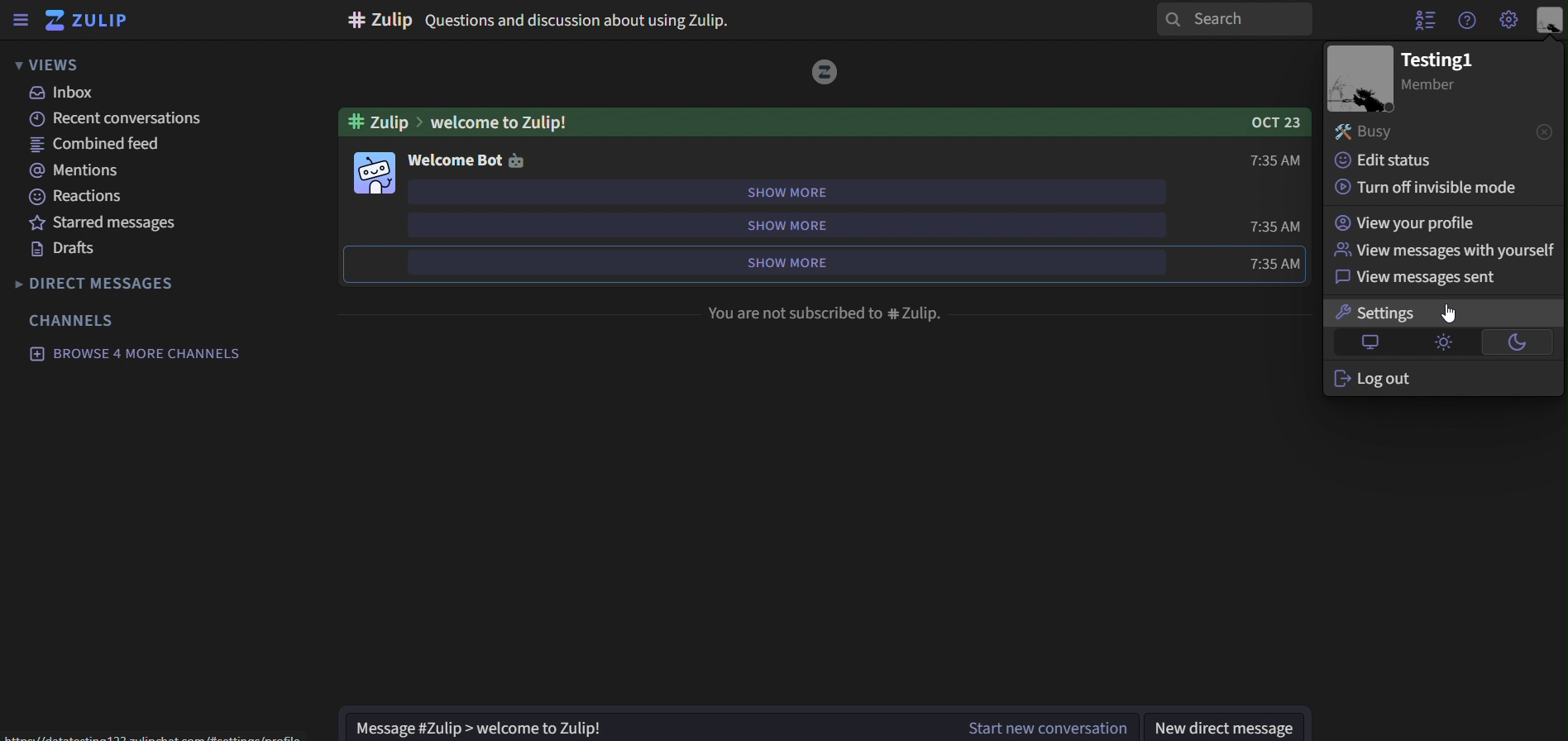 The width and height of the screenshot is (1568, 741). What do you see at coordinates (827, 315) in the screenshot?
I see `You are not subscribed to #Zulip.` at bounding box center [827, 315].